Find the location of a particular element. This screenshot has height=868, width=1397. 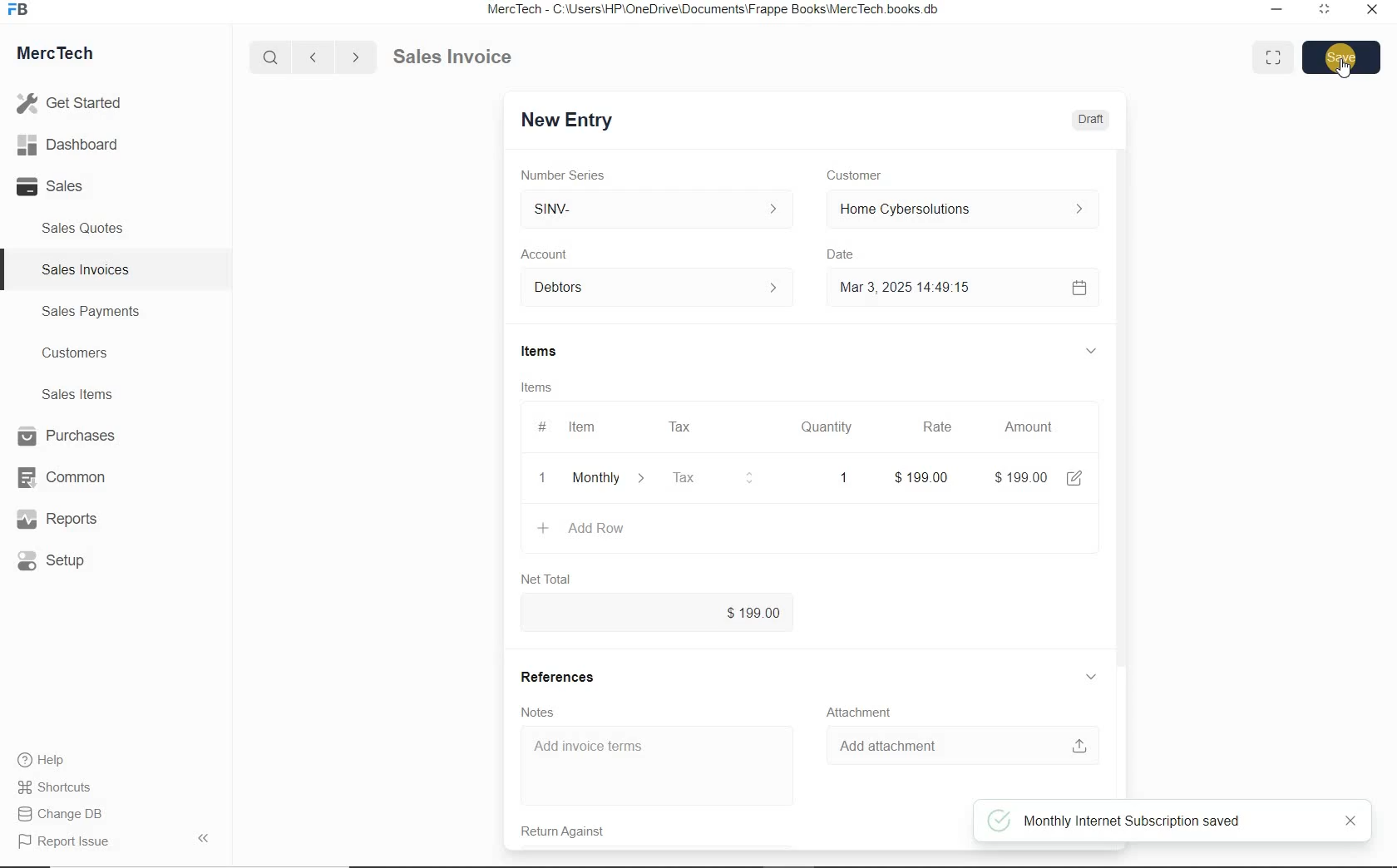

Common is located at coordinates (69, 476).